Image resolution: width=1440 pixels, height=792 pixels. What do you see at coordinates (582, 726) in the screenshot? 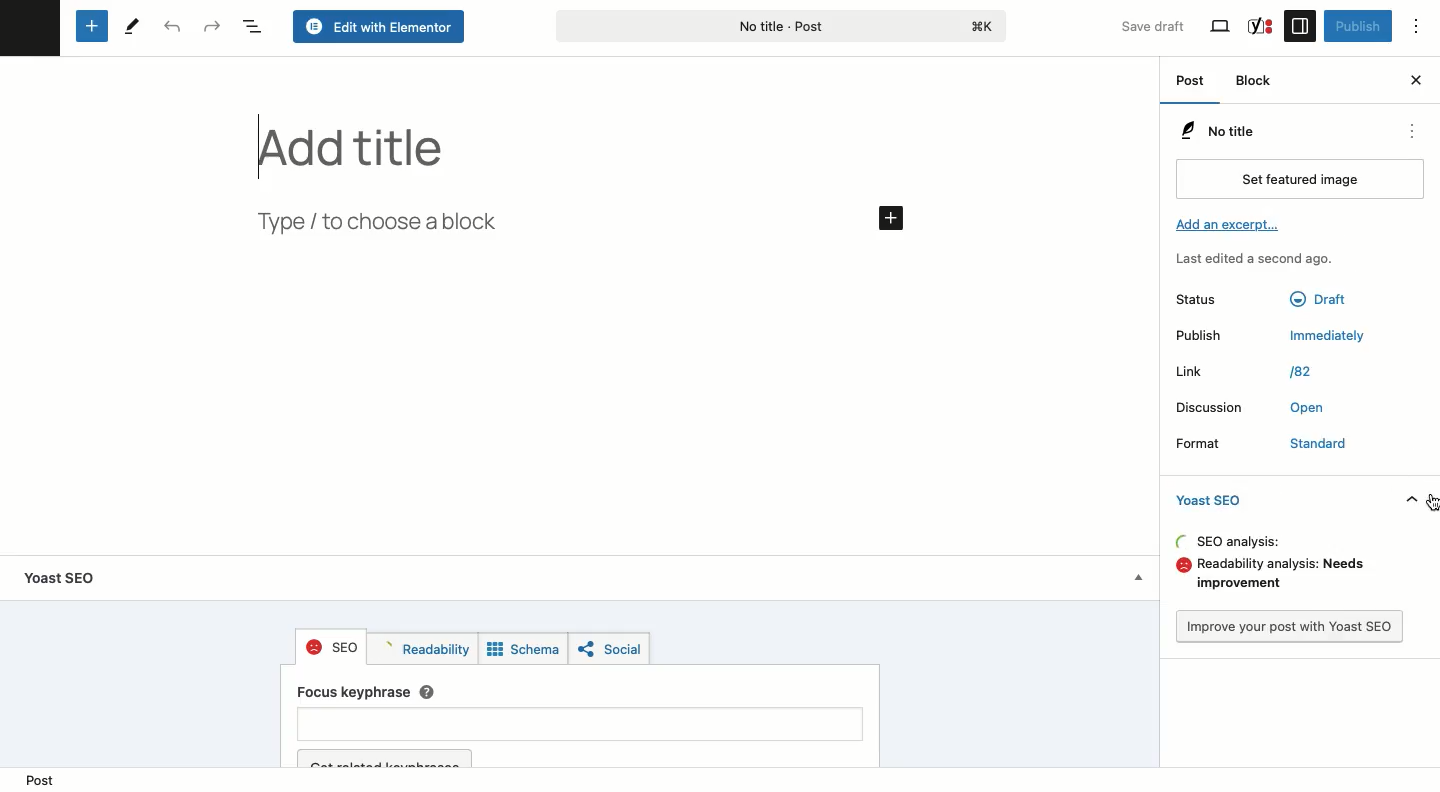
I see `Focus key phrase` at bounding box center [582, 726].